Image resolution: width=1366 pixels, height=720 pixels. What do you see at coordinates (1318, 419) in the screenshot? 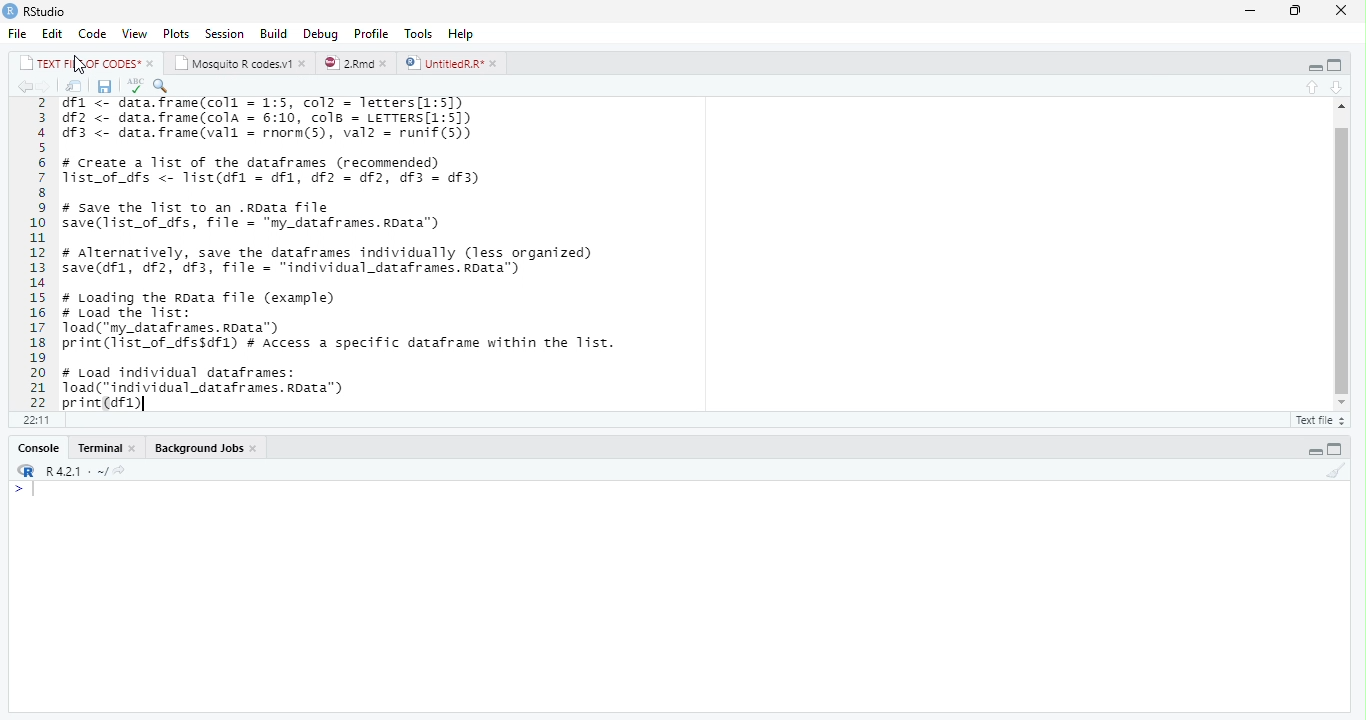
I see `R Script` at bounding box center [1318, 419].